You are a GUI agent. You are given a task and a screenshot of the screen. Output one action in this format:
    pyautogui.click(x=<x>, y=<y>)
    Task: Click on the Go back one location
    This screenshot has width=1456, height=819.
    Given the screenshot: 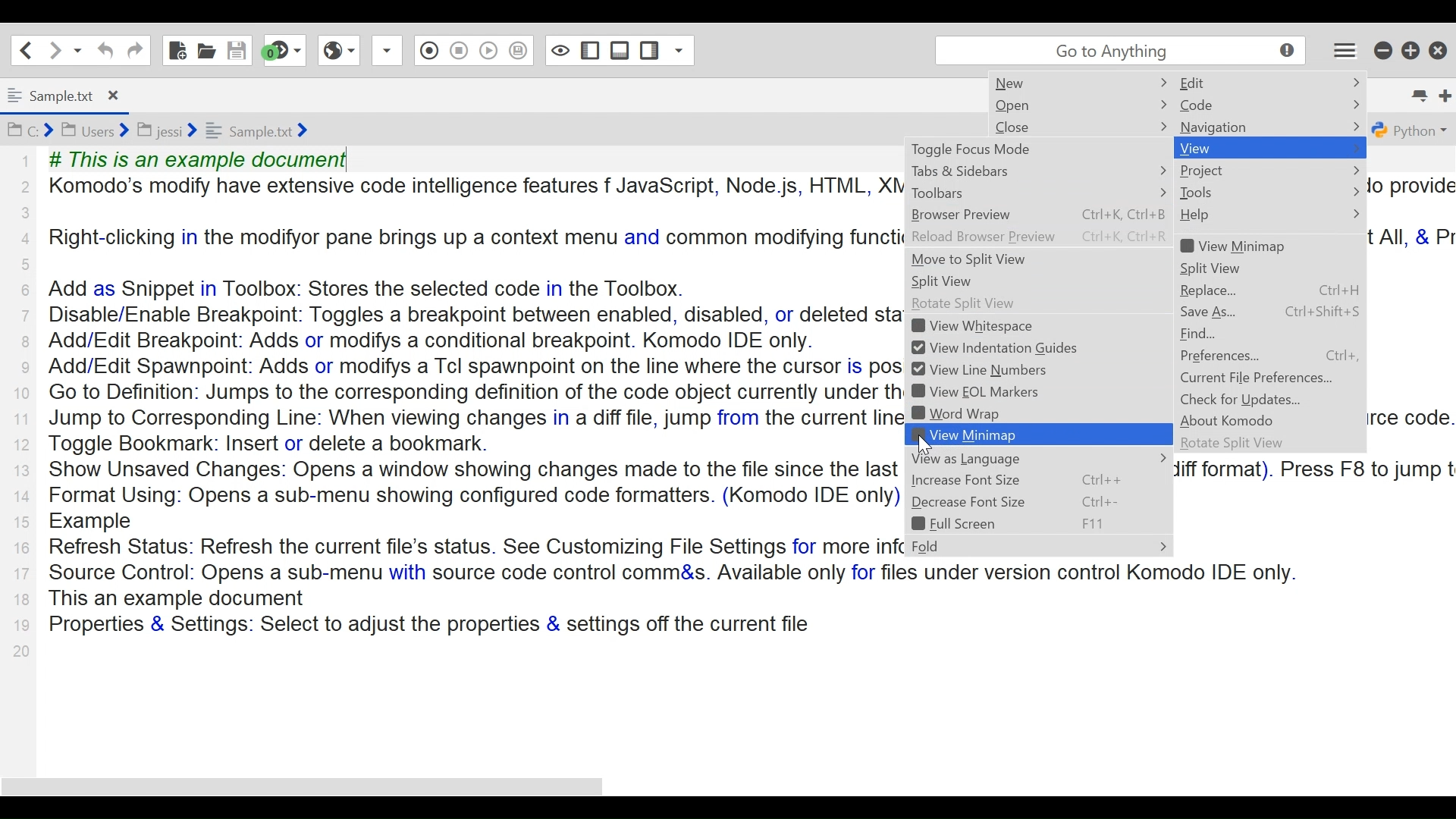 What is the action you would take?
    pyautogui.click(x=26, y=49)
    